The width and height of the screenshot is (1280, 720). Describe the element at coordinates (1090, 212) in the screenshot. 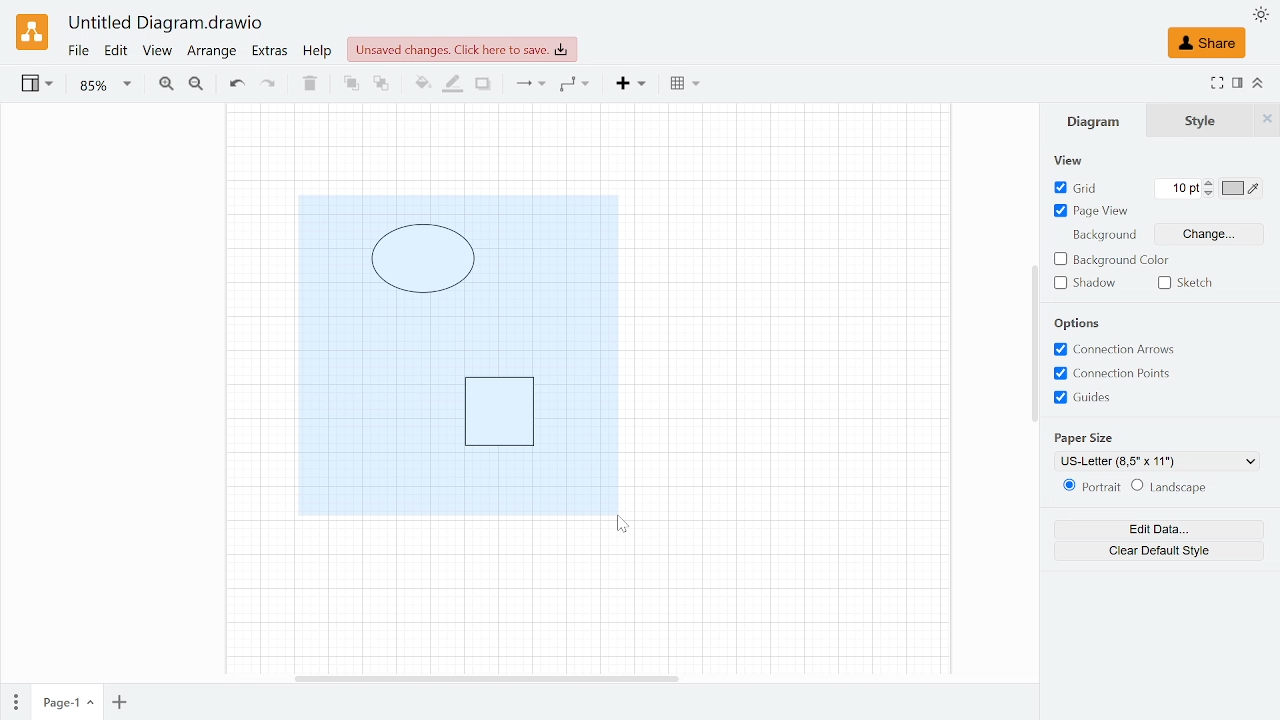

I see `Page view` at that location.